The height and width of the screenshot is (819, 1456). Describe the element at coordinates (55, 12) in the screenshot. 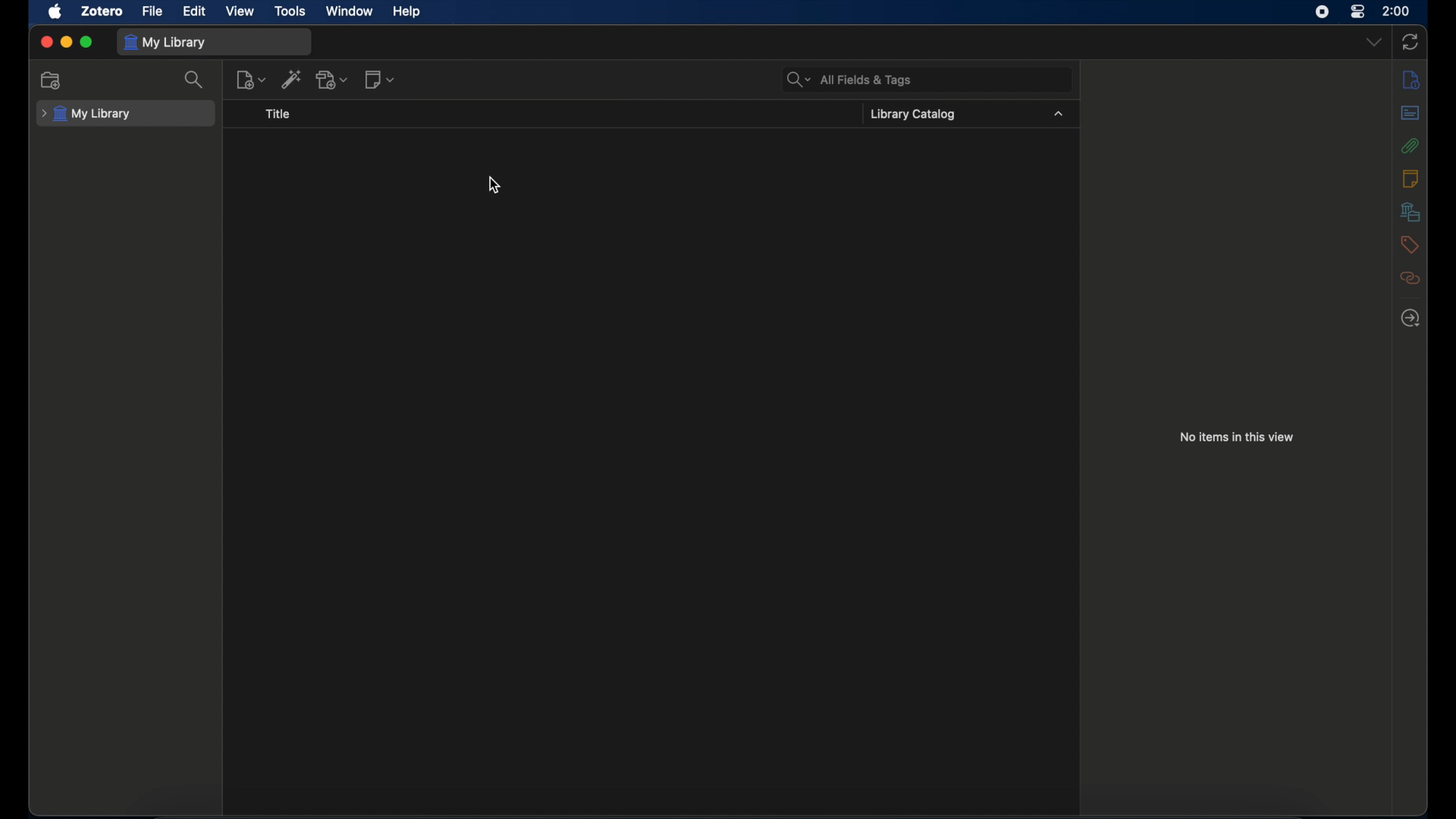

I see `apple` at that location.